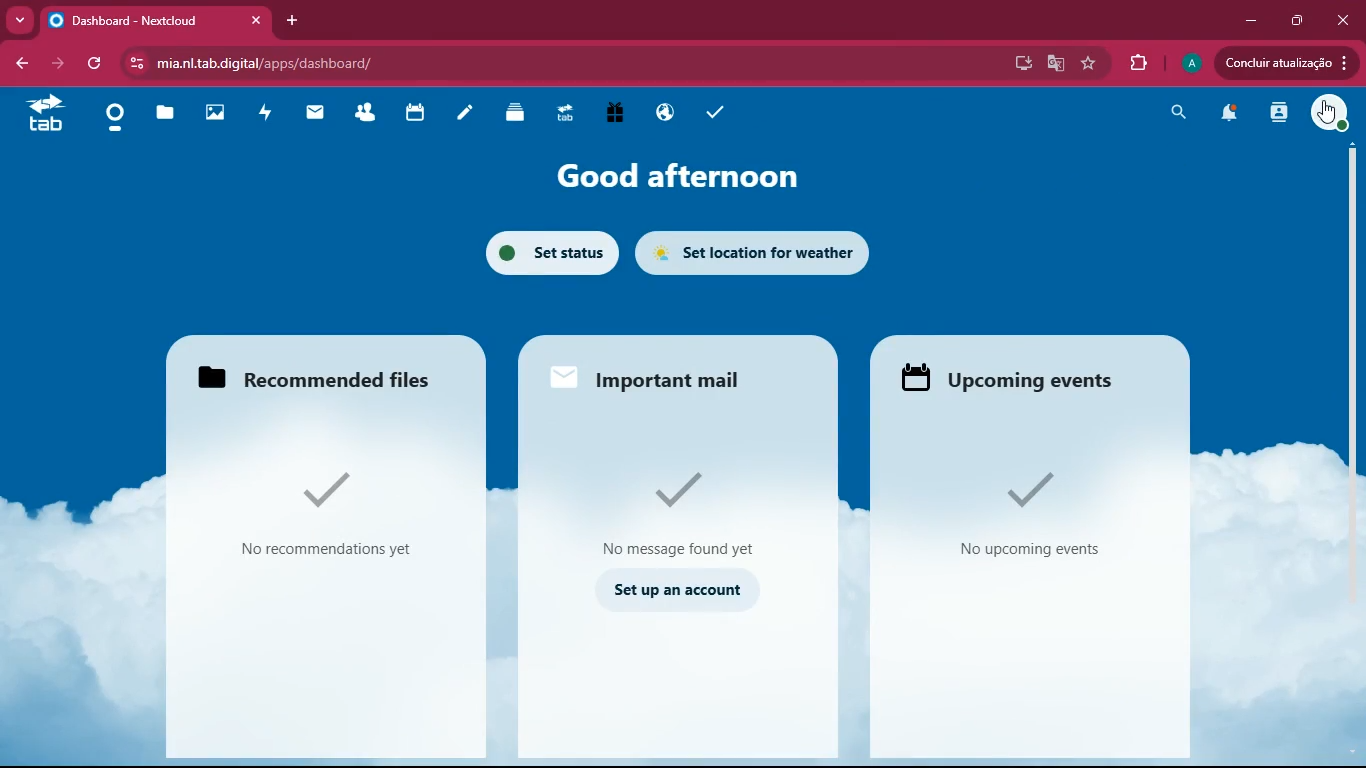 This screenshot has height=768, width=1366. What do you see at coordinates (170, 114) in the screenshot?
I see `files` at bounding box center [170, 114].